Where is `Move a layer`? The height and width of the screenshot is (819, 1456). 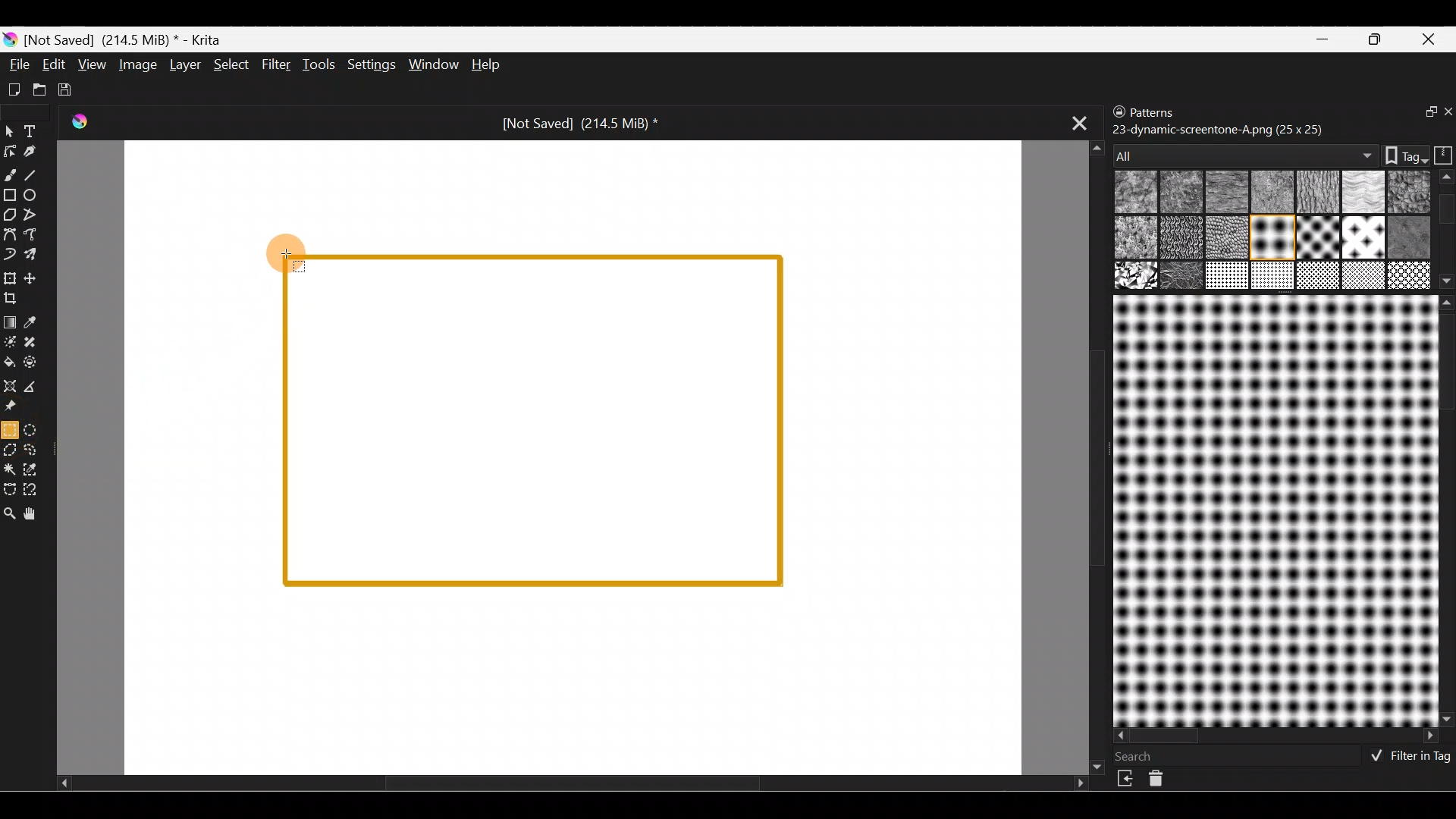 Move a layer is located at coordinates (37, 277).